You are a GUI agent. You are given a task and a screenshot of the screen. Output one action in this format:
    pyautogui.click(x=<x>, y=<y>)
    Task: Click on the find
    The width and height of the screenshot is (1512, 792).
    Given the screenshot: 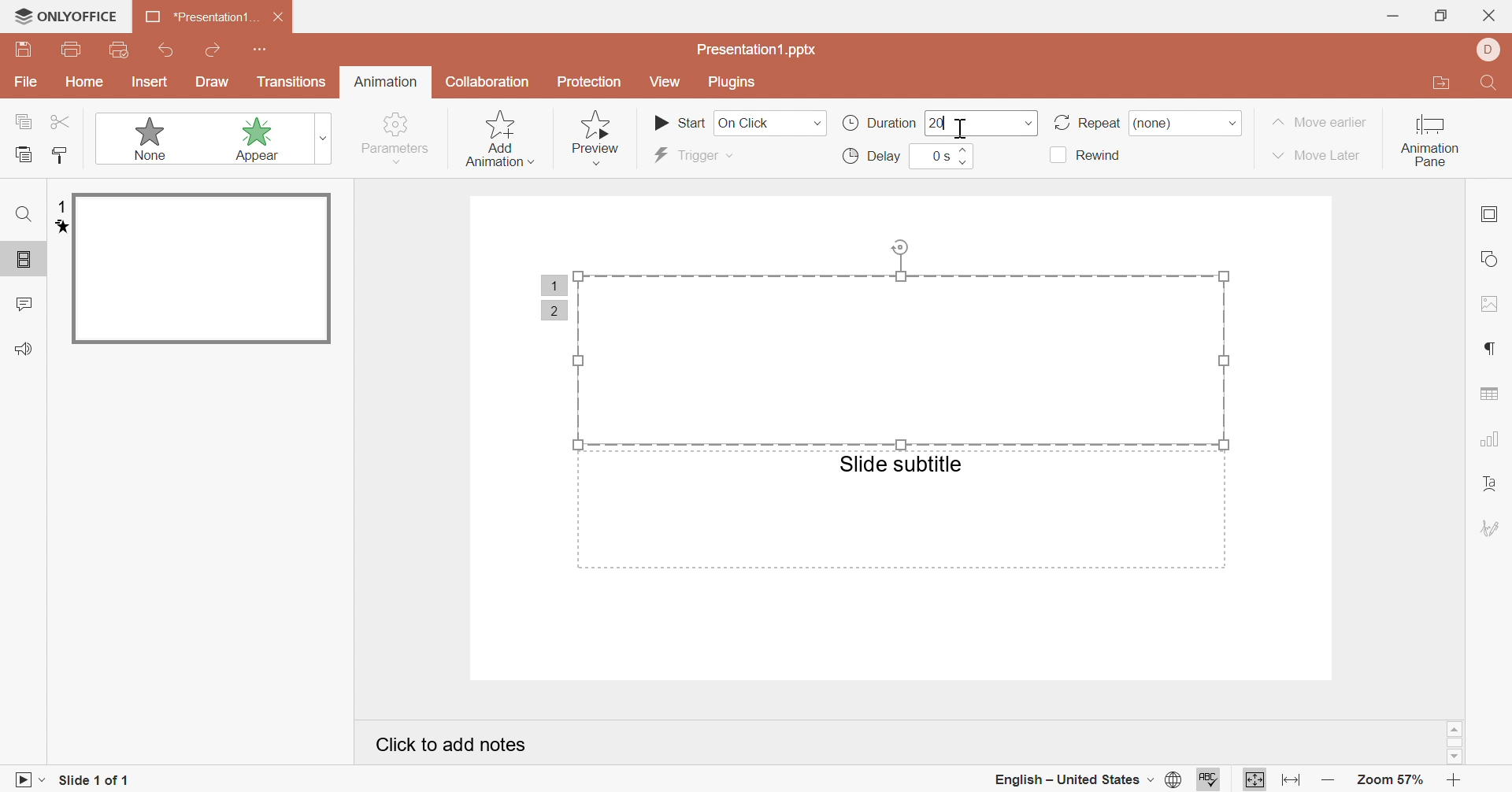 What is the action you would take?
    pyautogui.click(x=1492, y=83)
    